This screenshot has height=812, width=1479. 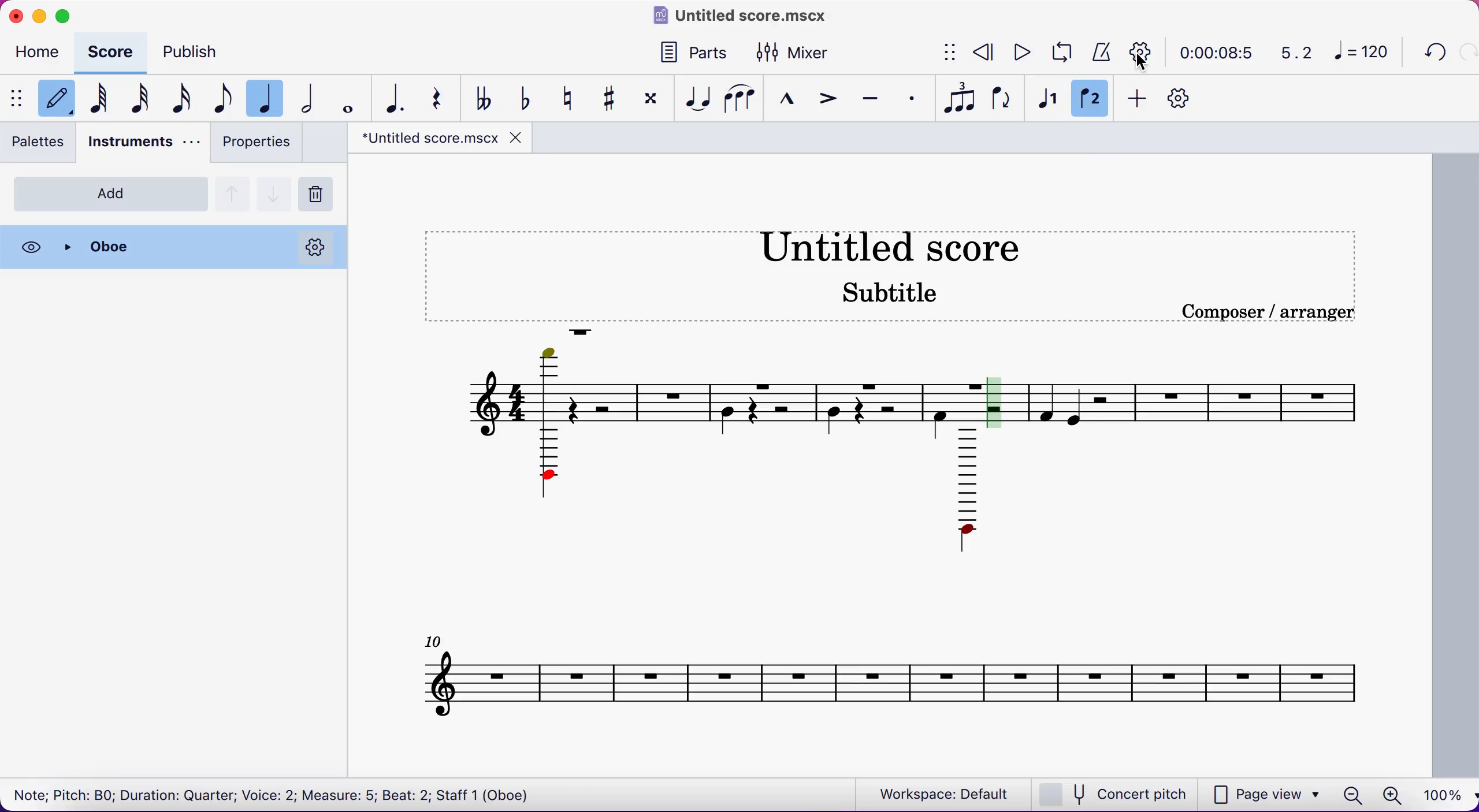 What do you see at coordinates (1139, 100) in the screenshot?
I see `add` at bounding box center [1139, 100].